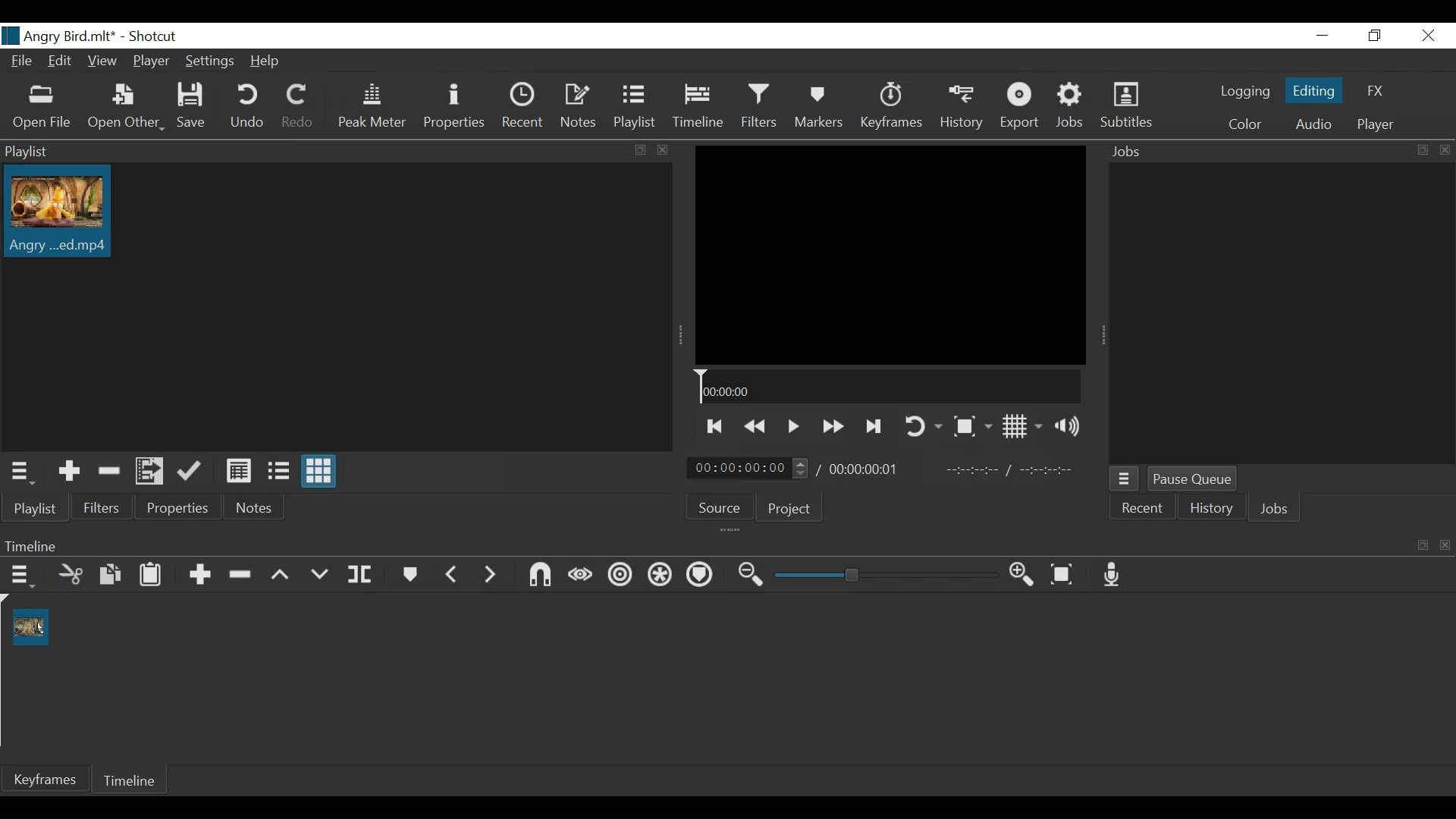 Image resolution: width=1456 pixels, height=819 pixels. I want to click on View as icons, so click(320, 472).